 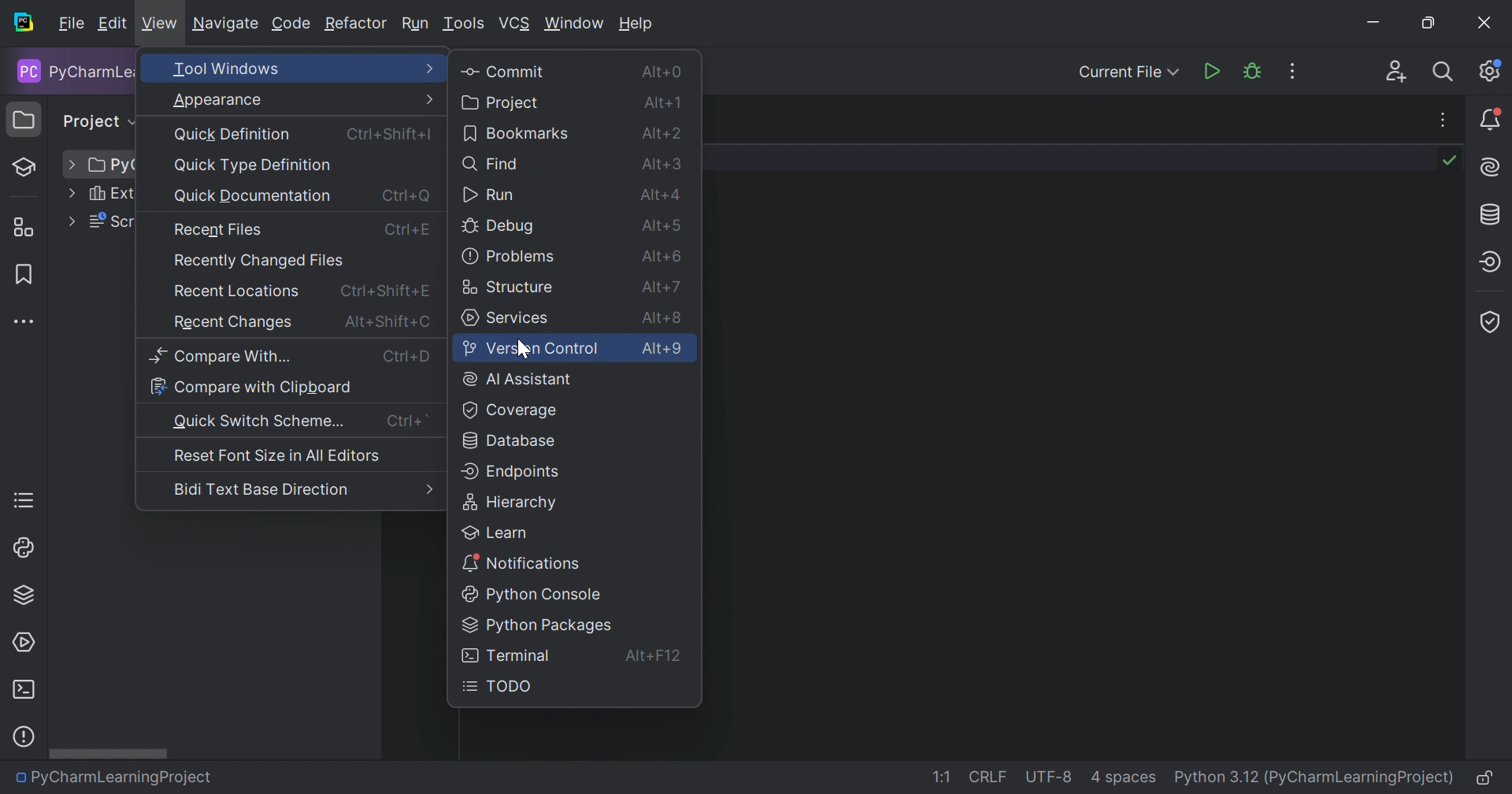 What do you see at coordinates (291, 24) in the screenshot?
I see `Code` at bounding box center [291, 24].